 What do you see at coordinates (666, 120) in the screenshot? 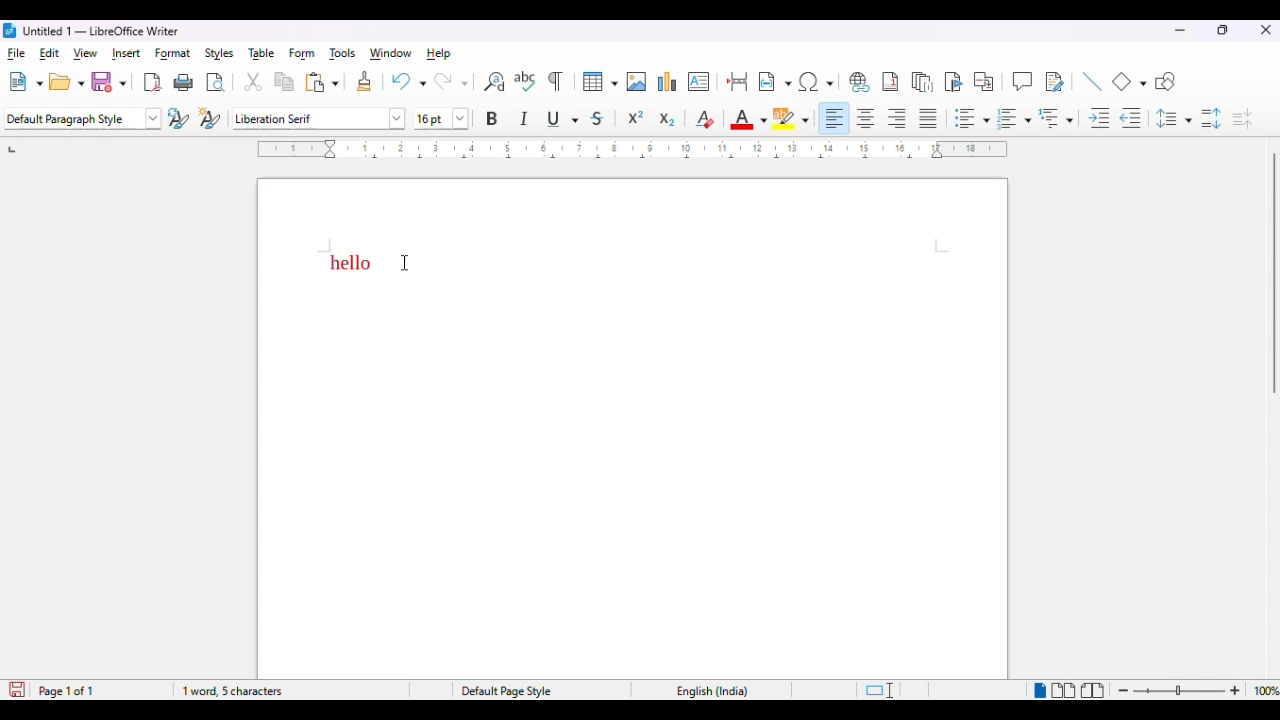
I see `subscript` at bounding box center [666, 120].